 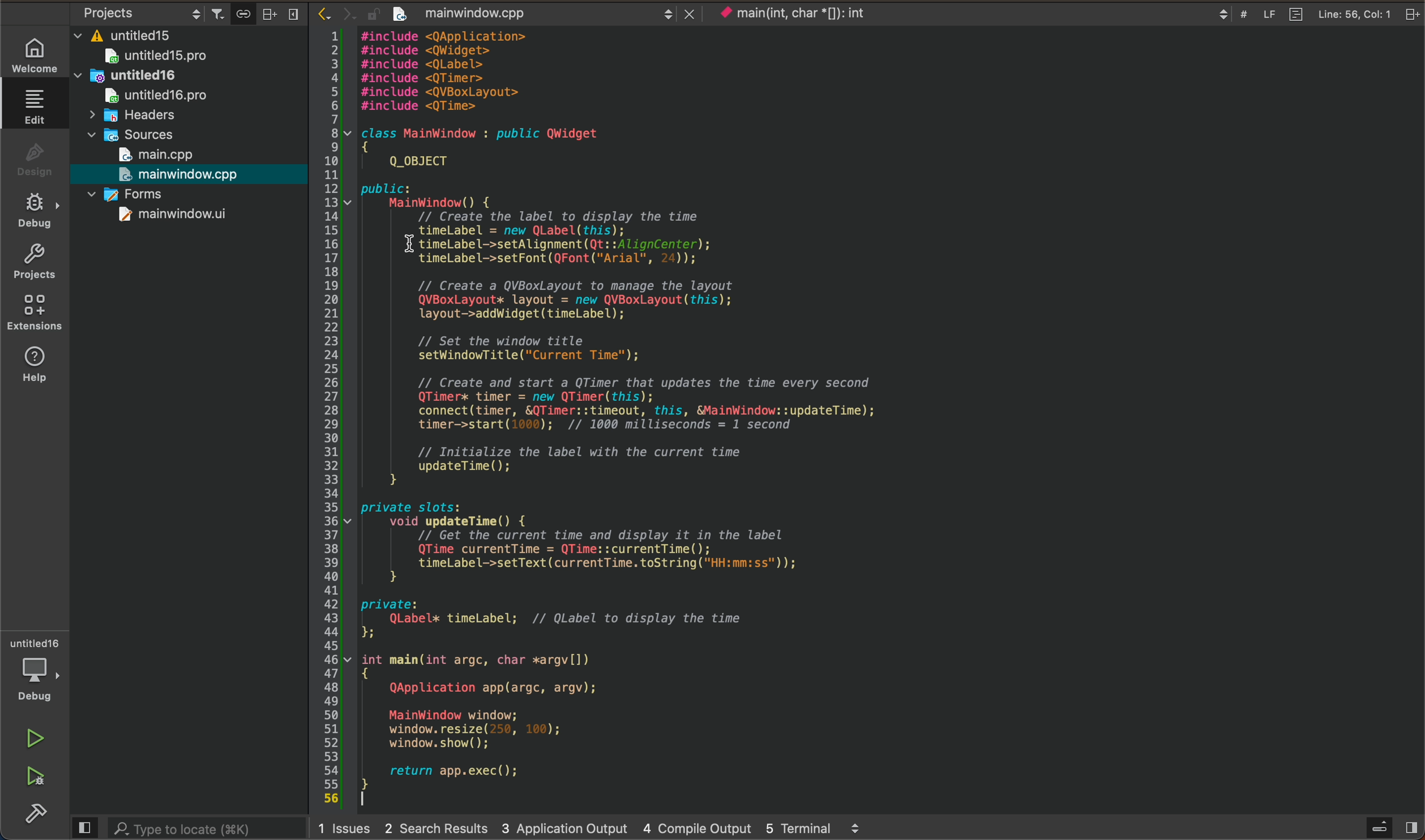 What do you see at coordinates (348, 12) in the screenshot?
I see `Next` at bounding box center [348, 12].